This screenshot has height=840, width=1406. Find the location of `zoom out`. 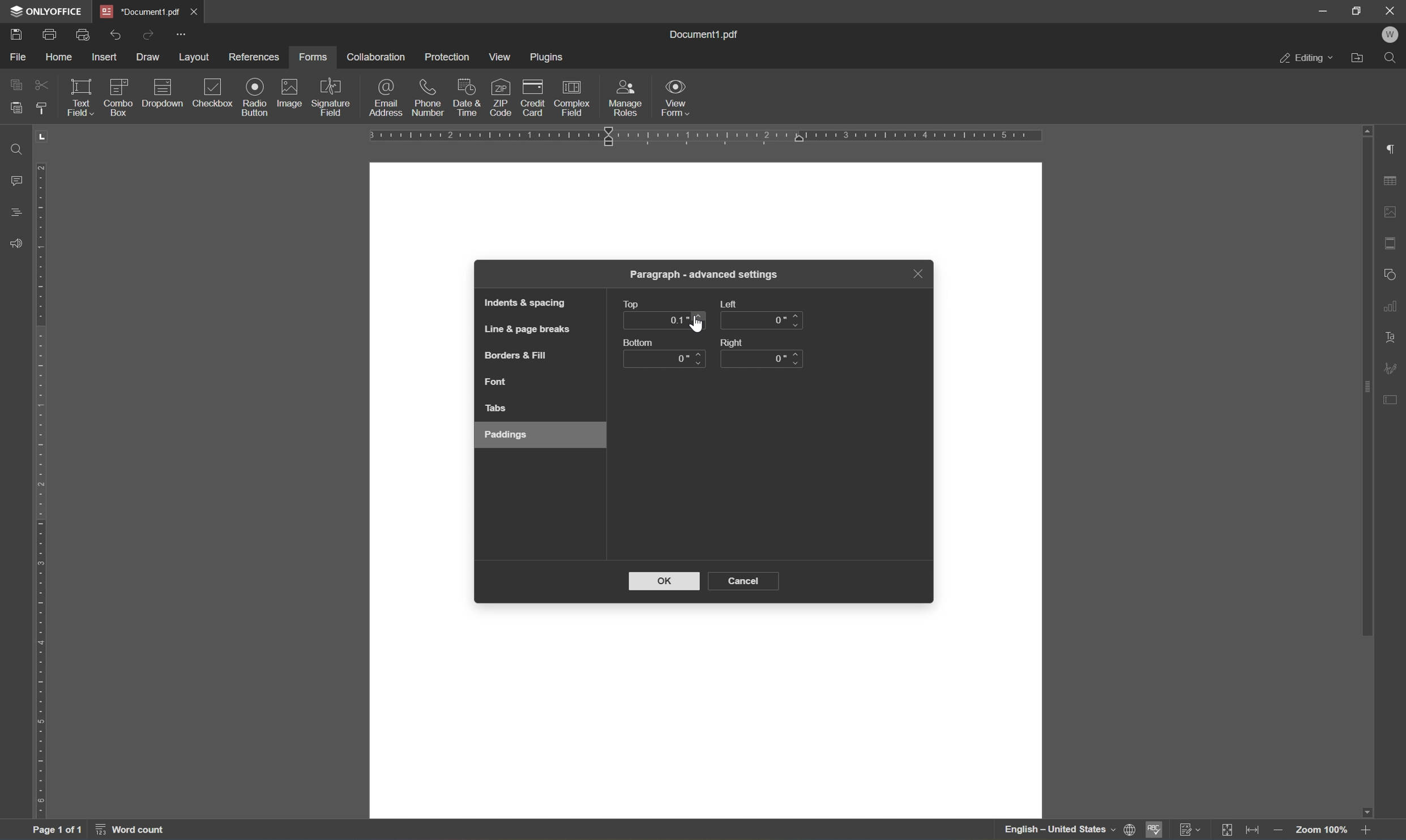

zoom out is located at coordinates (1281, 830).